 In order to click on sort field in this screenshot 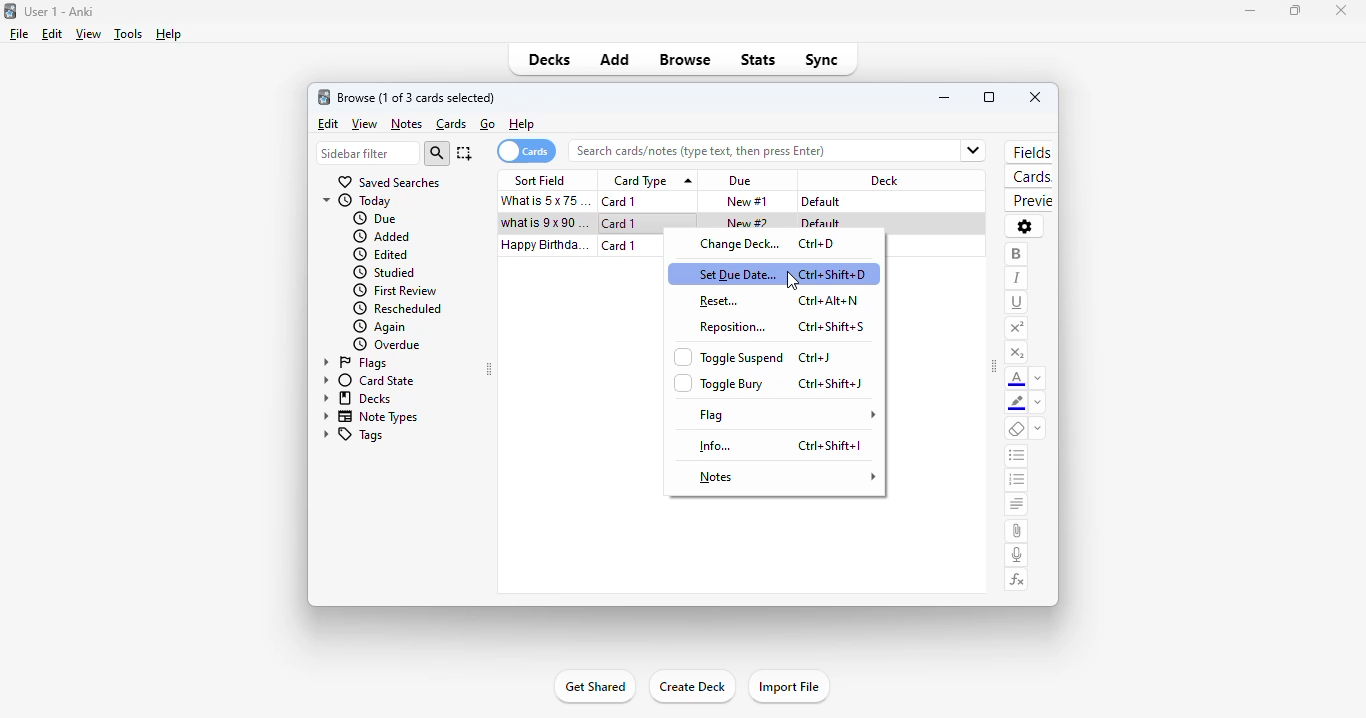, I will do `click(543, 180)`.